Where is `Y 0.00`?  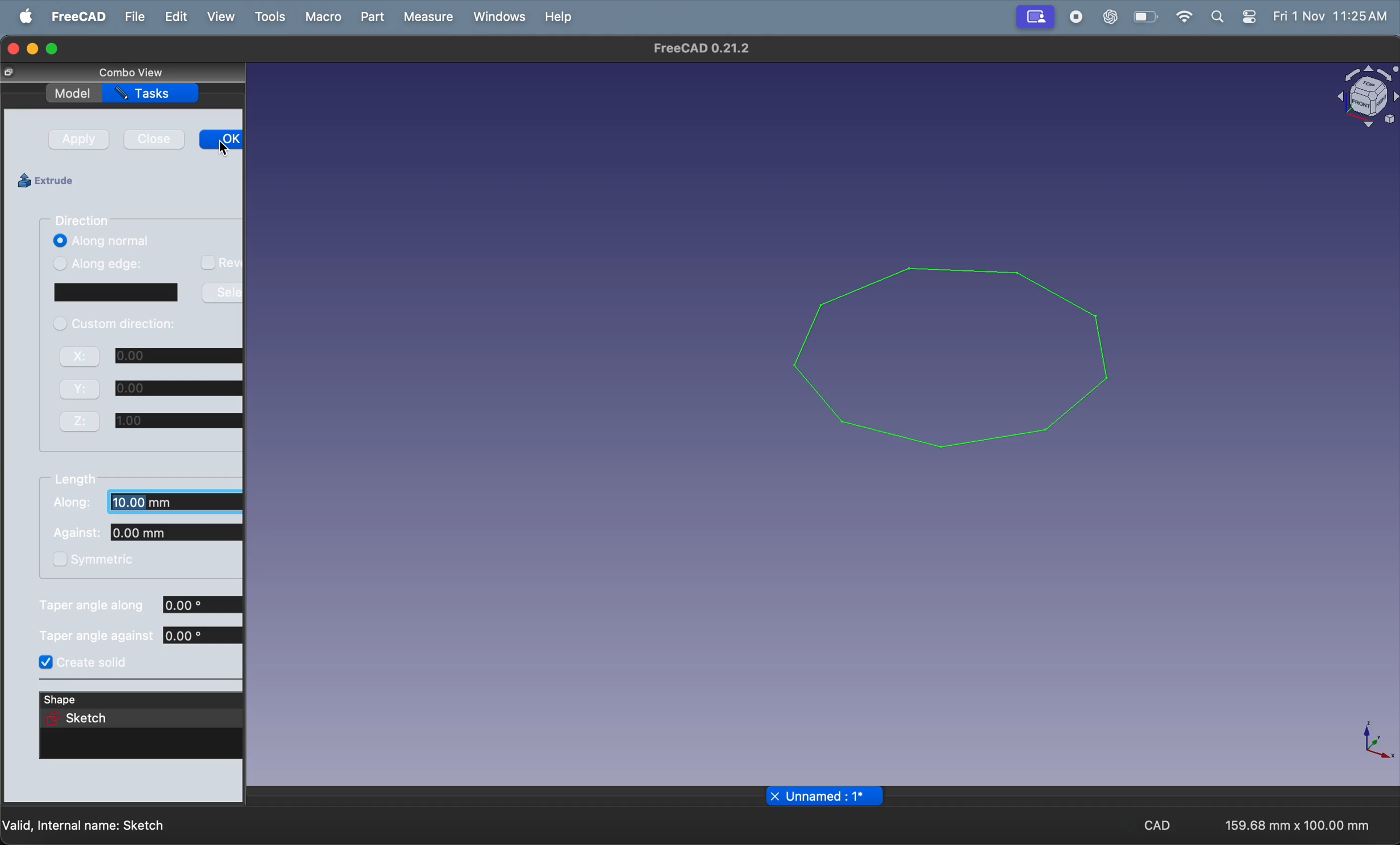 Y 0.00 is located at coordinates (144, 388).